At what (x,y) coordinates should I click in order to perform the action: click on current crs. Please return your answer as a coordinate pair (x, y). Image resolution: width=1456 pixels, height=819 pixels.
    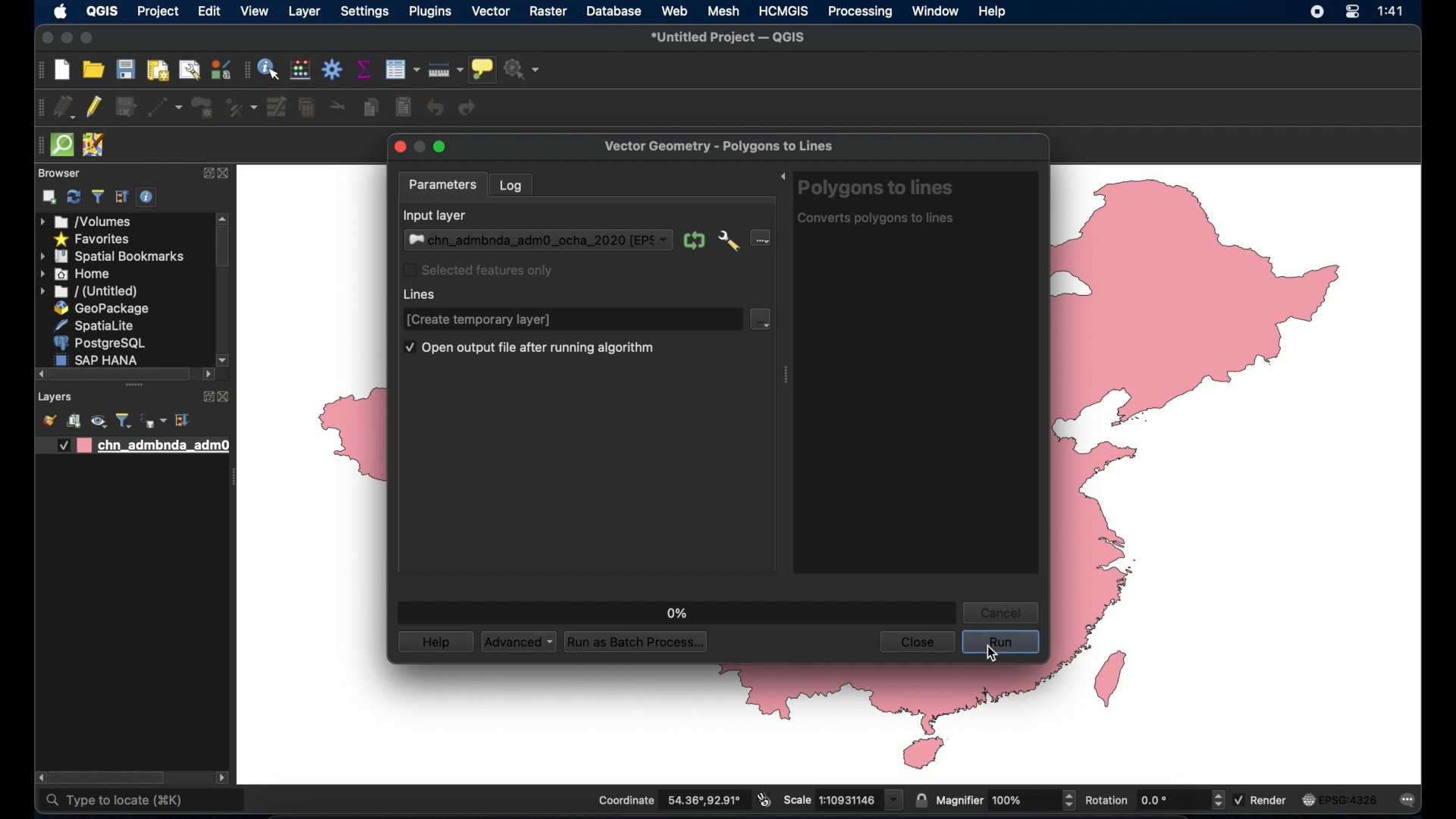
    Looking at the image, I should click on (1342, 799).